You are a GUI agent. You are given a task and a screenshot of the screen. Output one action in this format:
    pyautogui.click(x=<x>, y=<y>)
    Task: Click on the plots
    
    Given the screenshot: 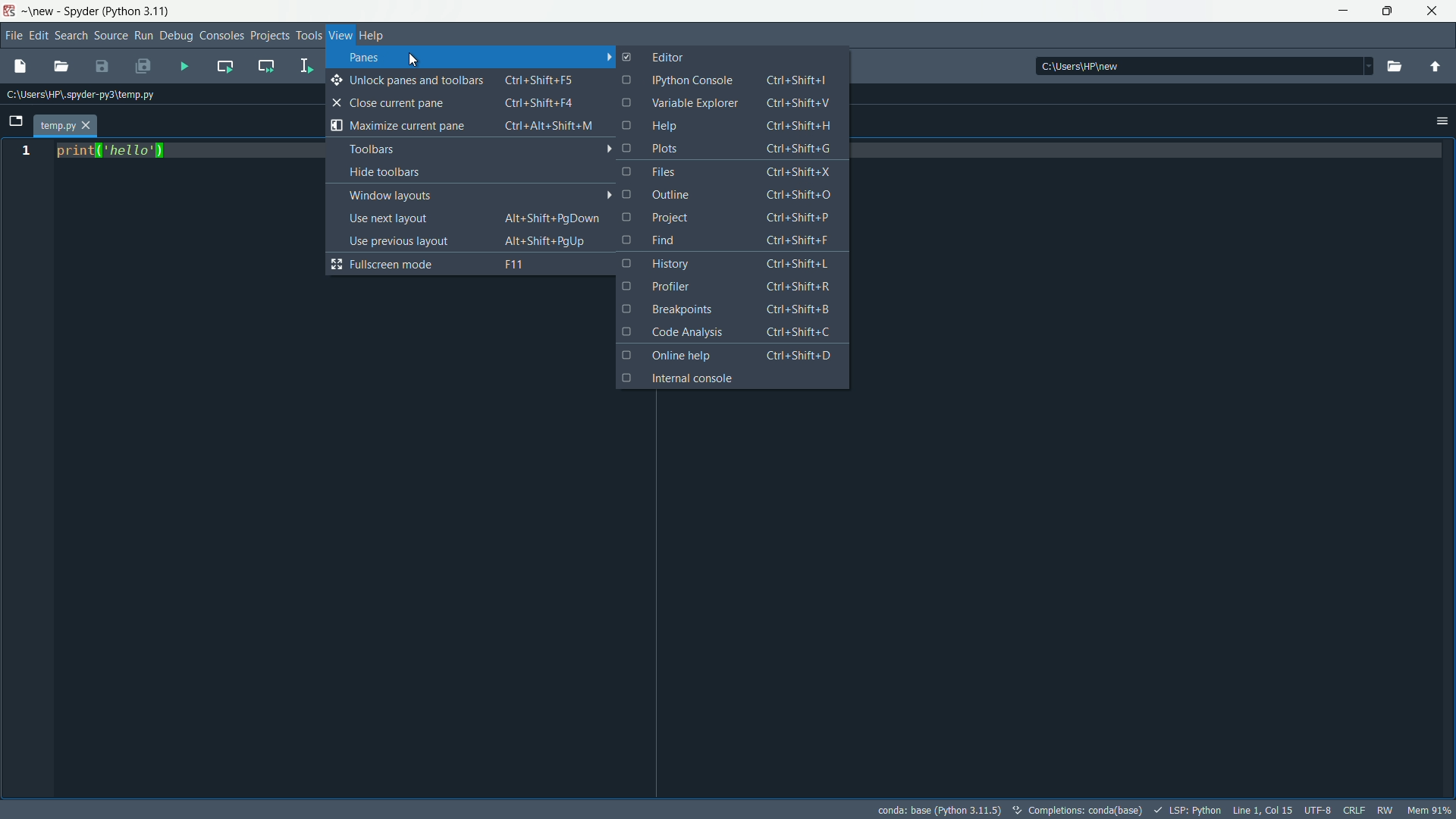 What is the action you would take?
    pyautogui.click(x=730, y=148)
    